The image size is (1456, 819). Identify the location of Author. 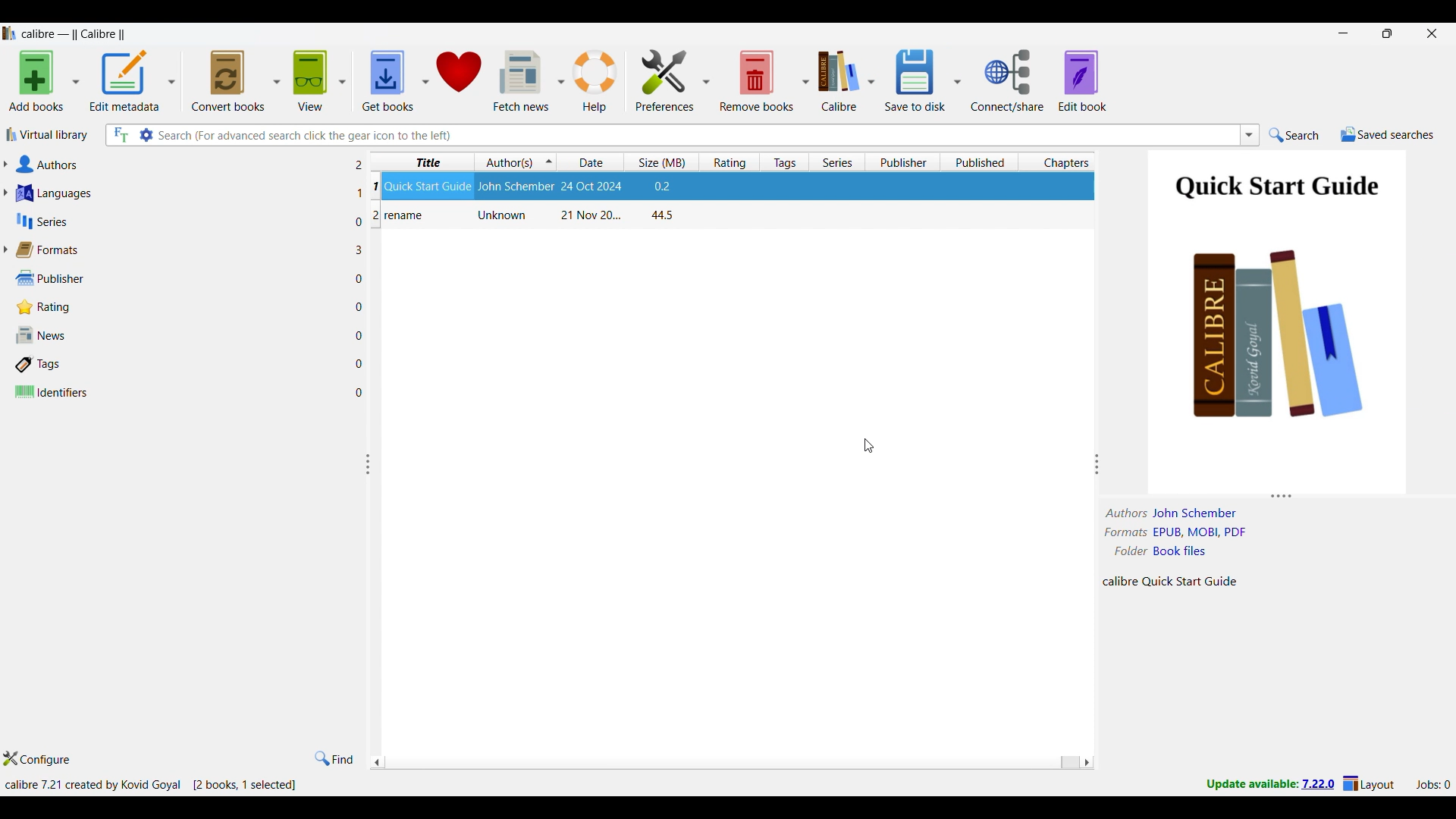
(514, 187).